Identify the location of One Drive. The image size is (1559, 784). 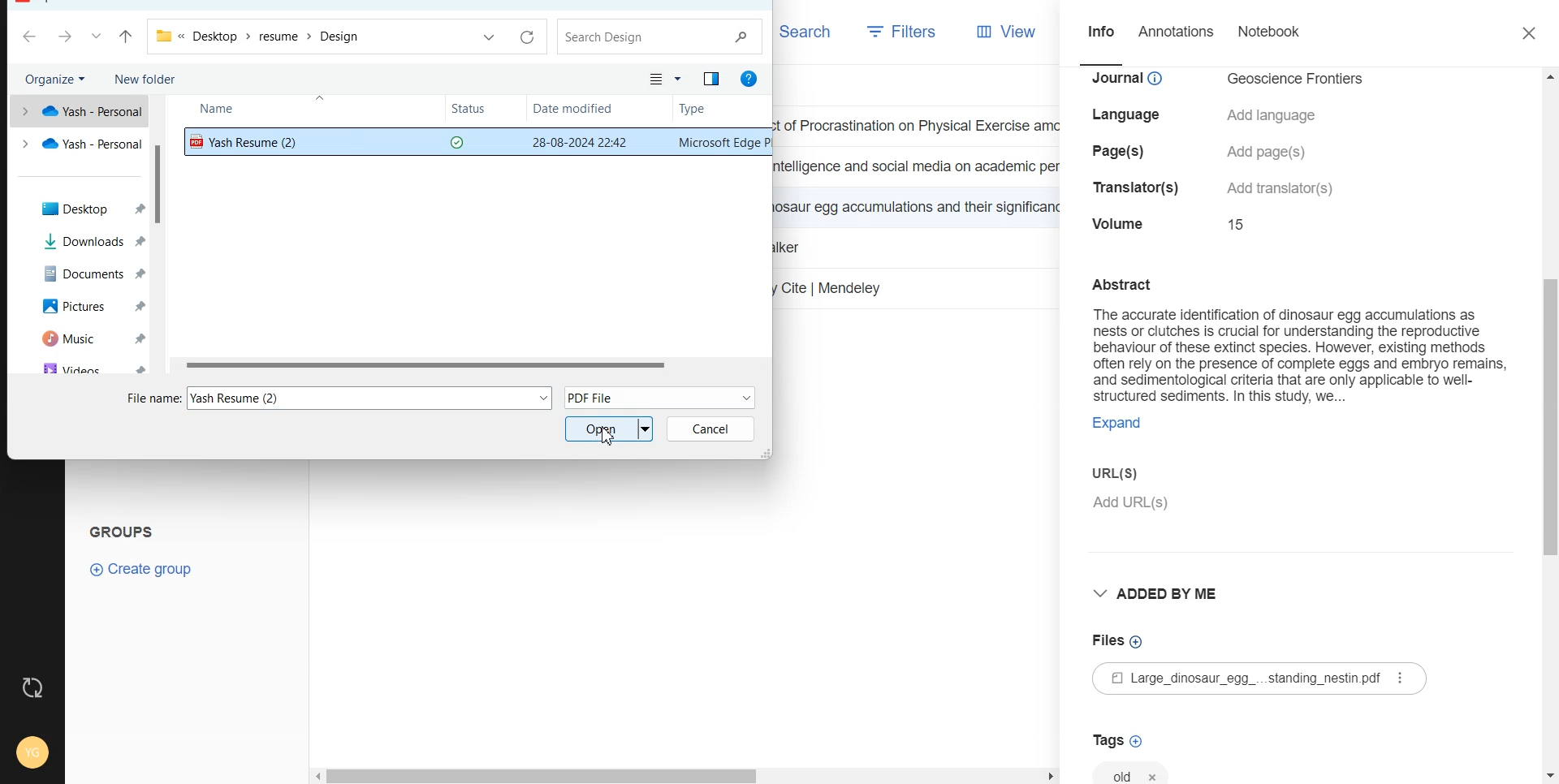
(80, 144).